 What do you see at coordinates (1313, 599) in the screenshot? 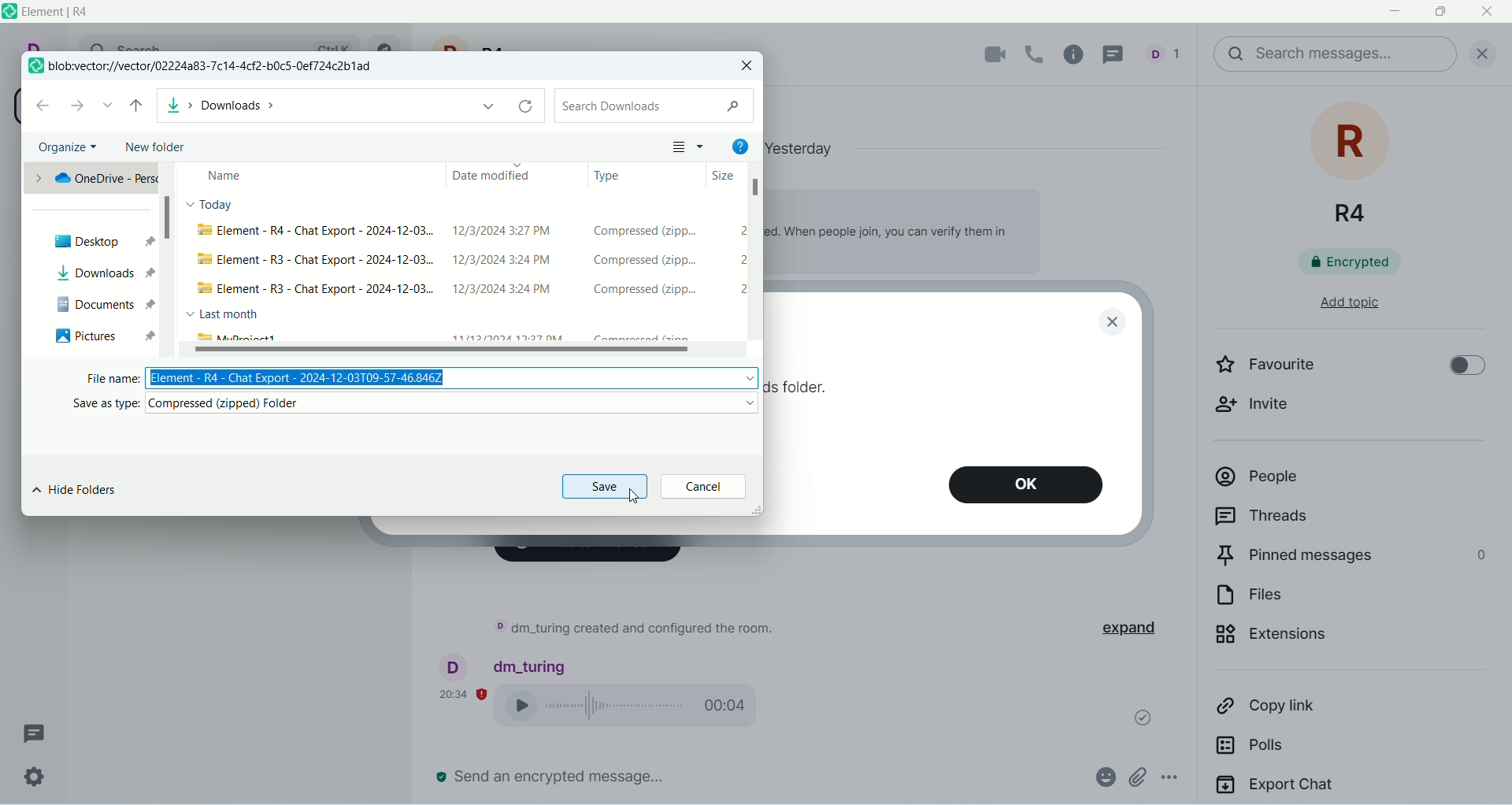
I see `files` at bounding box center [1313, 599].